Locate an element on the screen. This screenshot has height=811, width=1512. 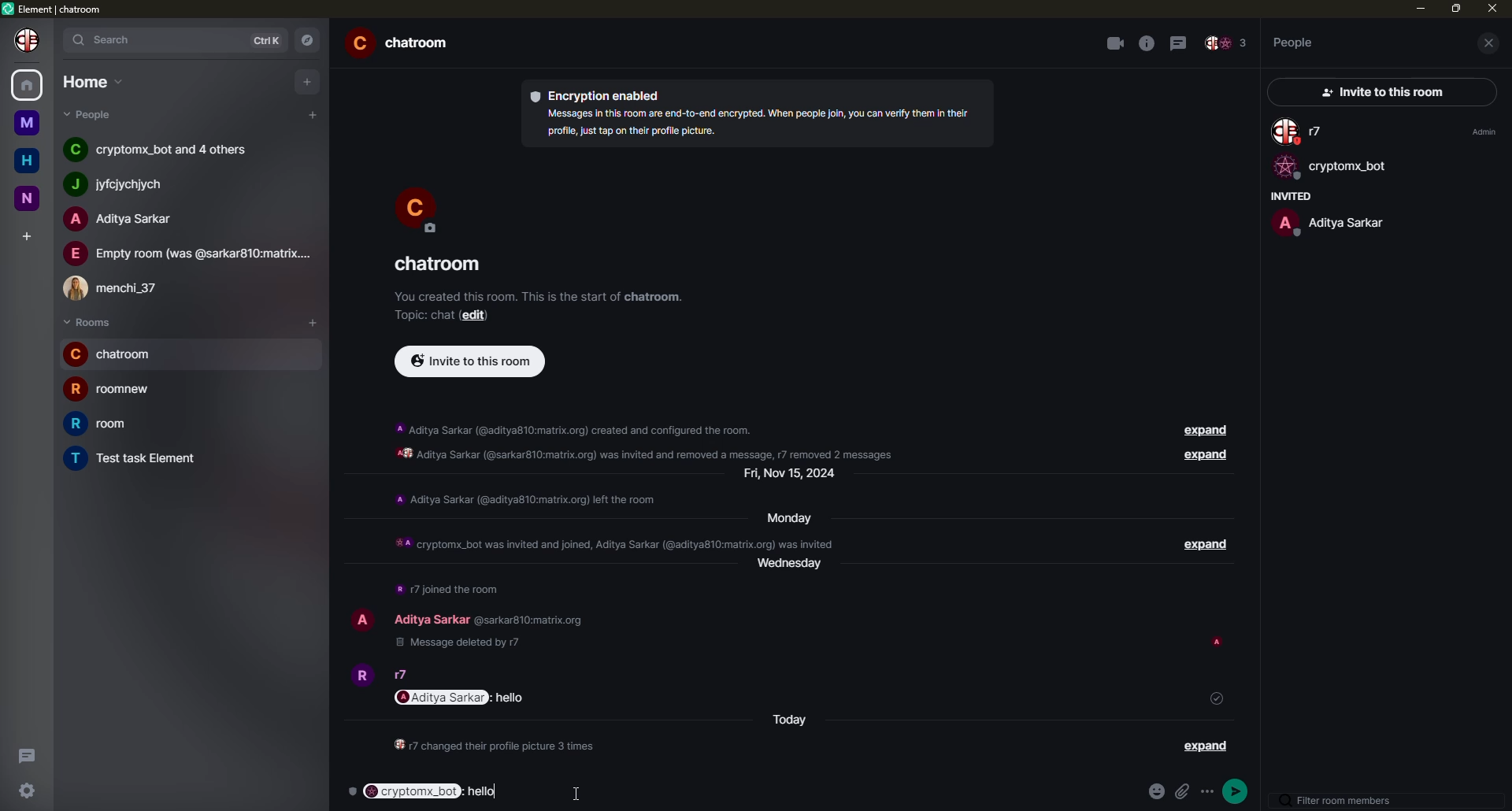
emoji is located at coordinates (1159, 792).